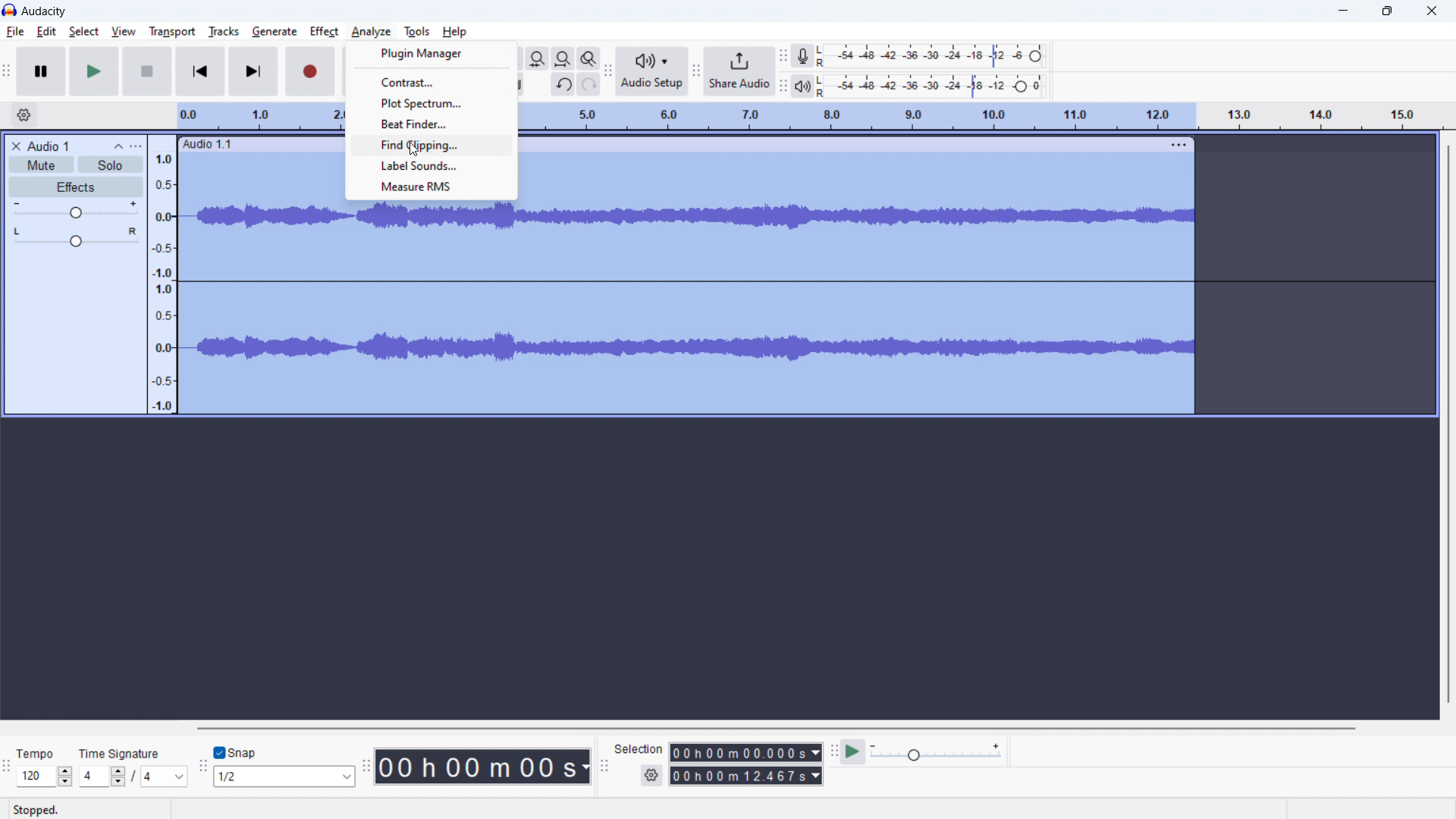  Describe the element at coordinates (49, 146) in the screenshot. I see `recording title` at that location.